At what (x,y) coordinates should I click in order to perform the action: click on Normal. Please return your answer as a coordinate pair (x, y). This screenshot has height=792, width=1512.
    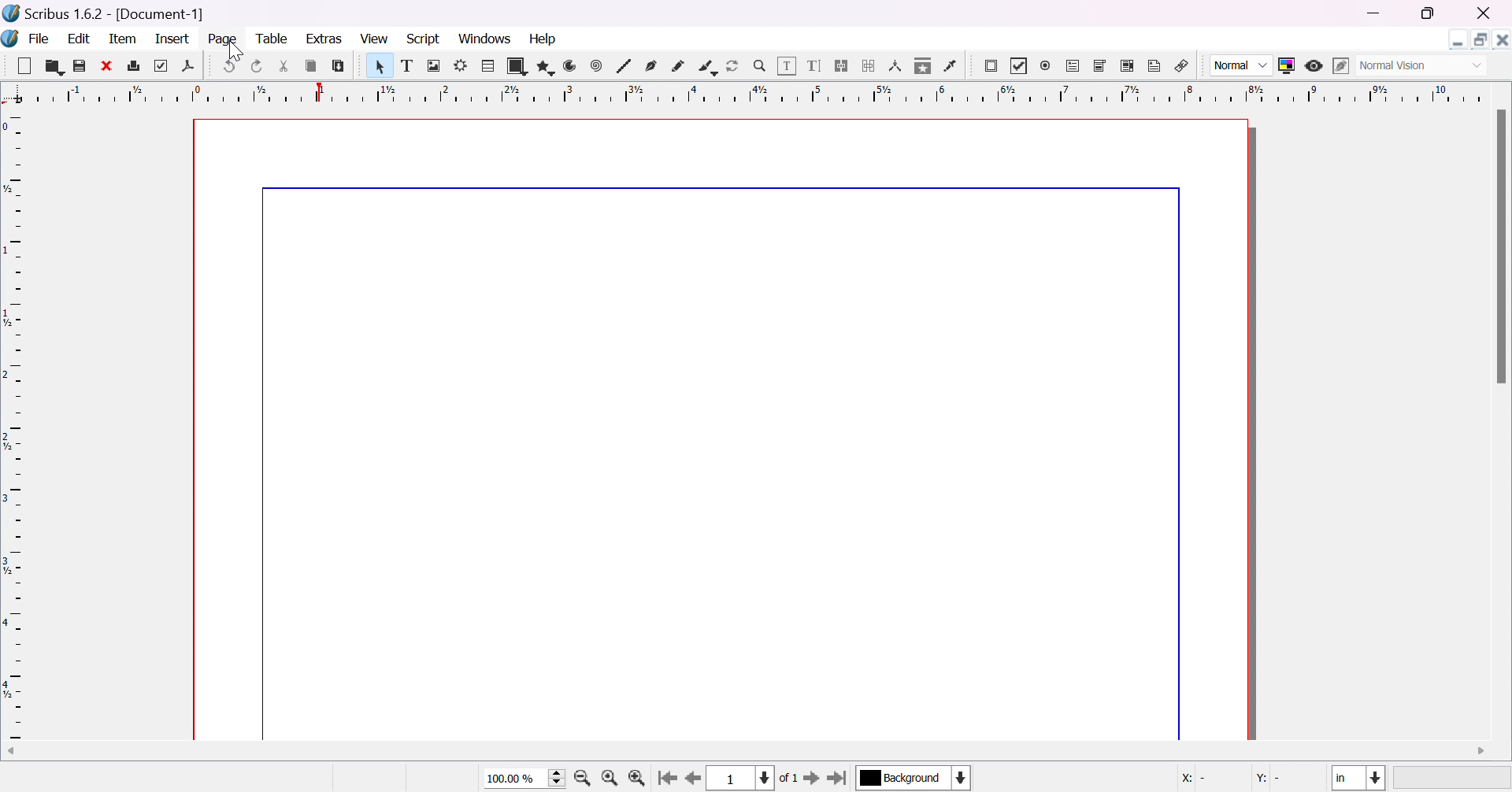
    Looking at the image, I should click on (1240, 65).